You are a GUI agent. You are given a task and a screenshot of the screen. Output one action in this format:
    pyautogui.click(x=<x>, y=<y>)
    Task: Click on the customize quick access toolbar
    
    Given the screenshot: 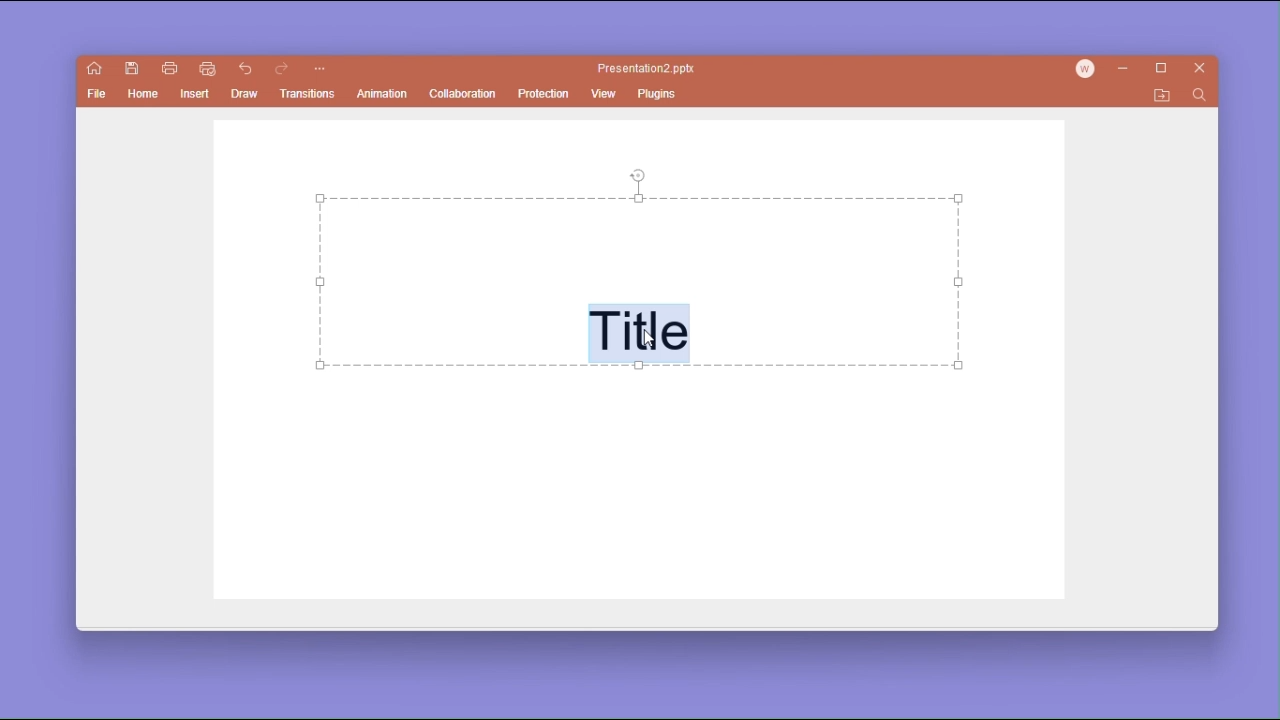 What is the action you would take?
    pyautogui.click(x=319, y=70)
    